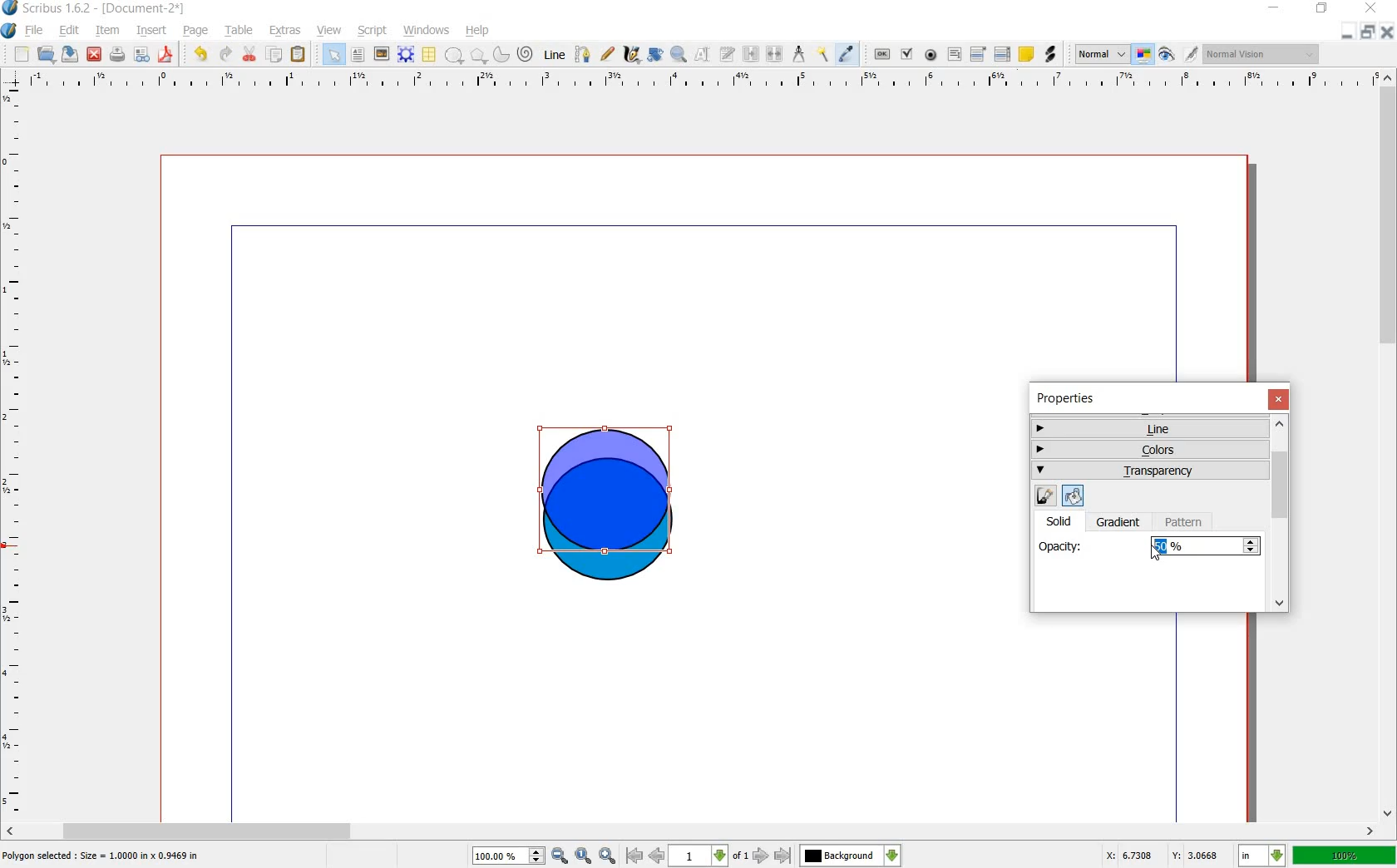 The image size is (1397, 868). What do you see at coordinates (906, 55) in the screenshot?
I see `pdf check box` at bounding box center [906, 55].